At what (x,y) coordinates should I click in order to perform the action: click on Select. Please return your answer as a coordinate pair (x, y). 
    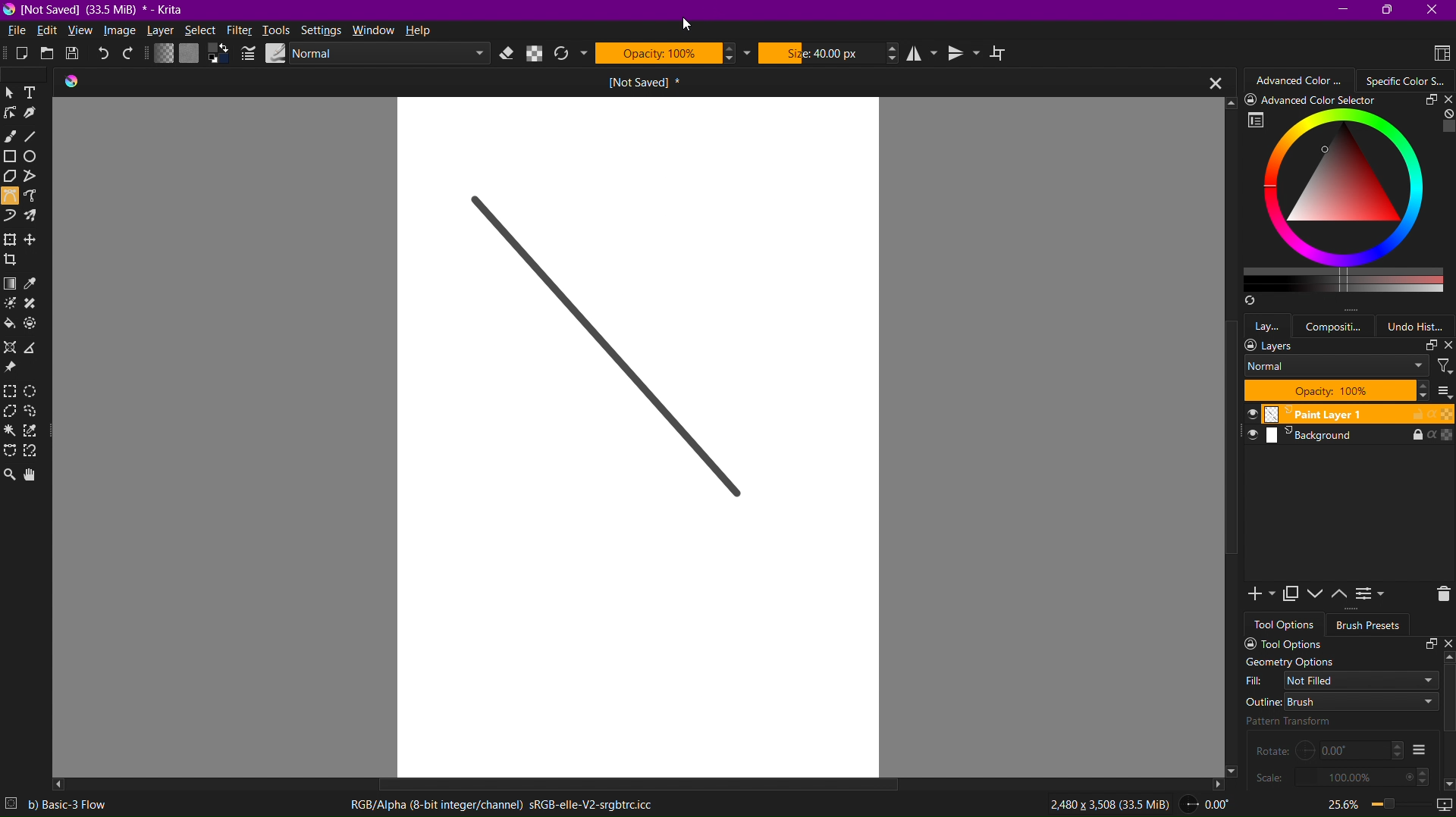
    Looking at the image, I should click on (199, 32).